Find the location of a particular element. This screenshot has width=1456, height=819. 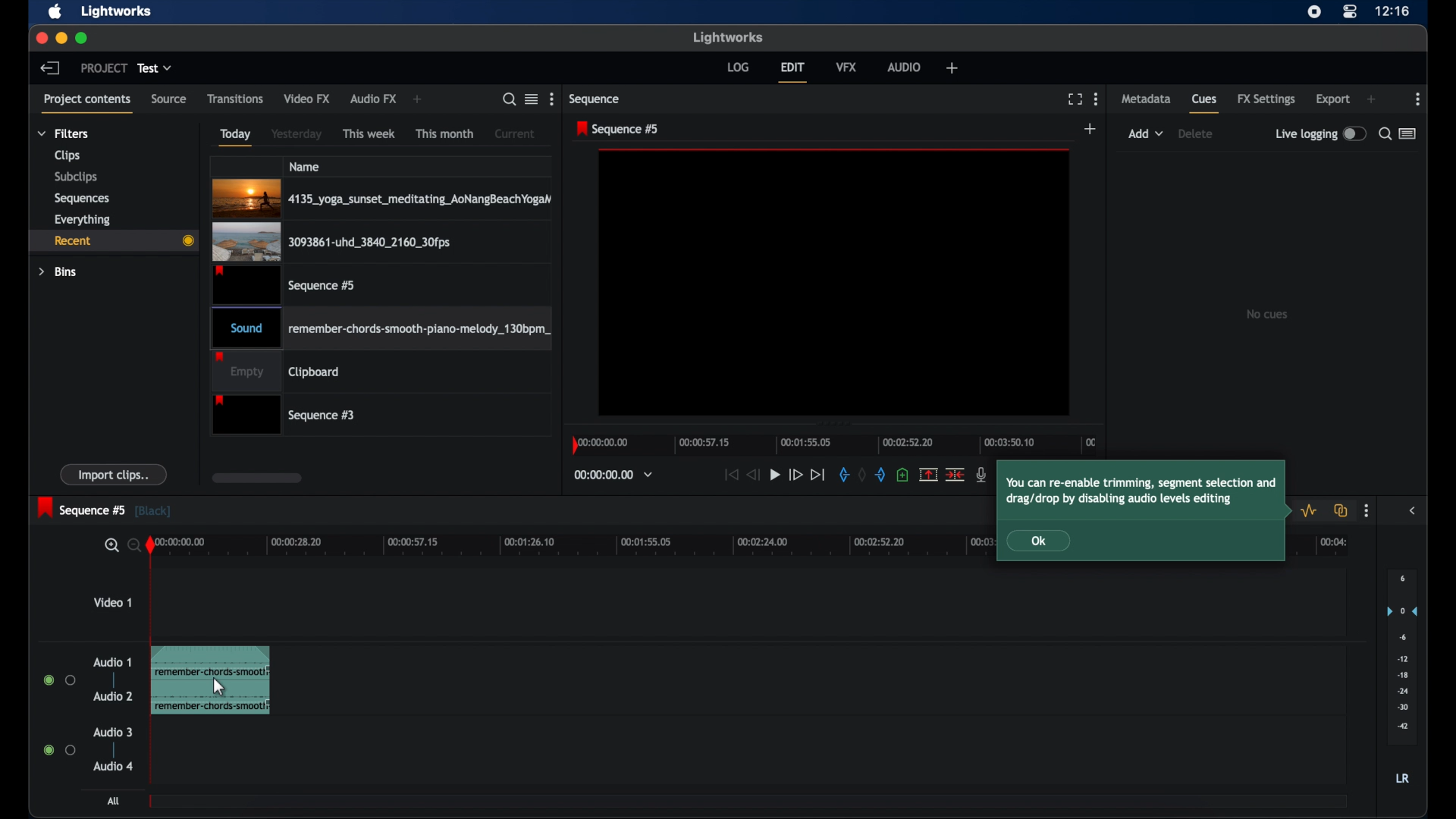

all is located at coordinates (115, 801).